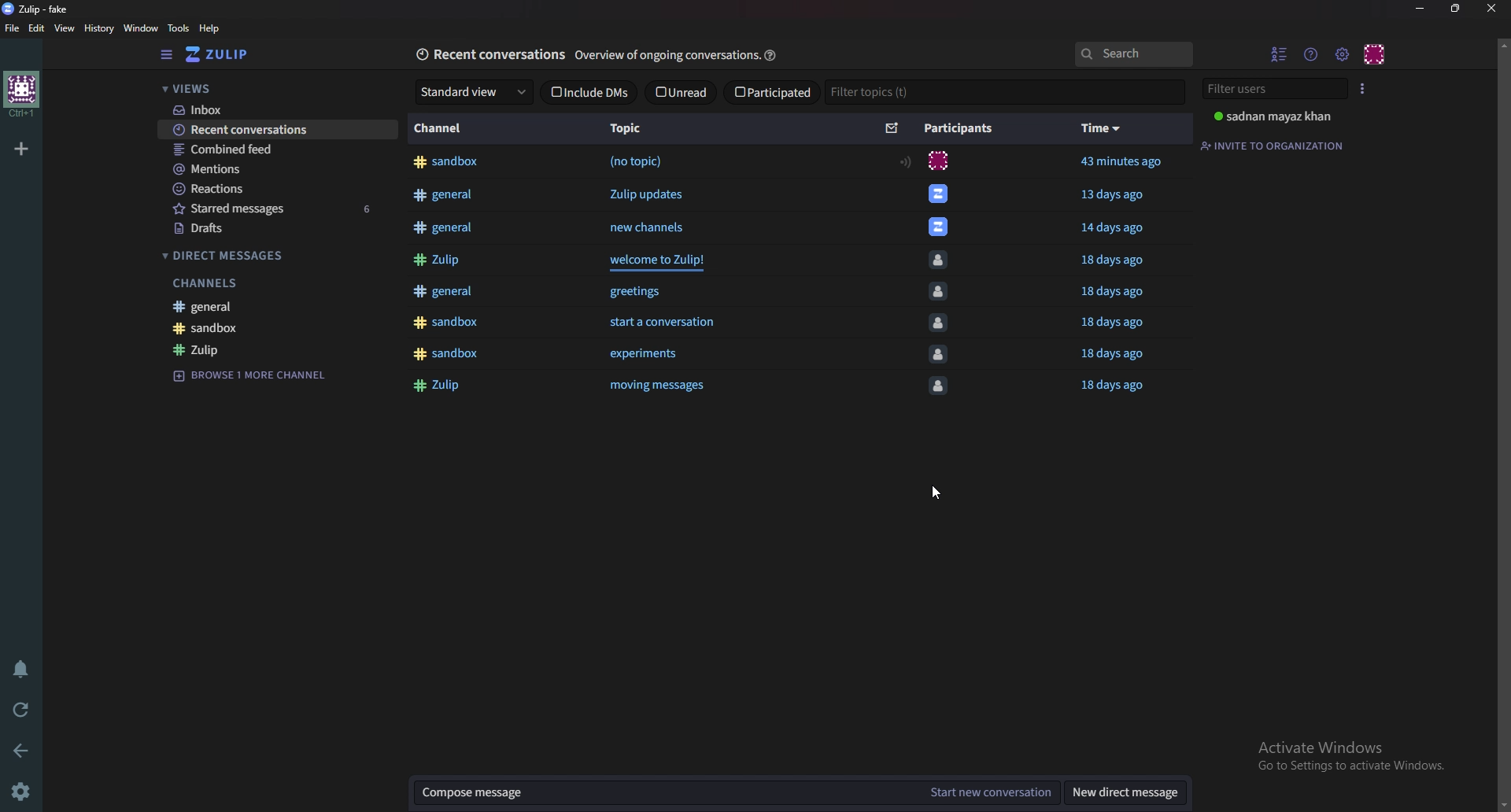 This screenshot has width=1511, height=812. Describe the element at coordinates (1423, 9) in the screenshot. I see `Minimize` at that location.